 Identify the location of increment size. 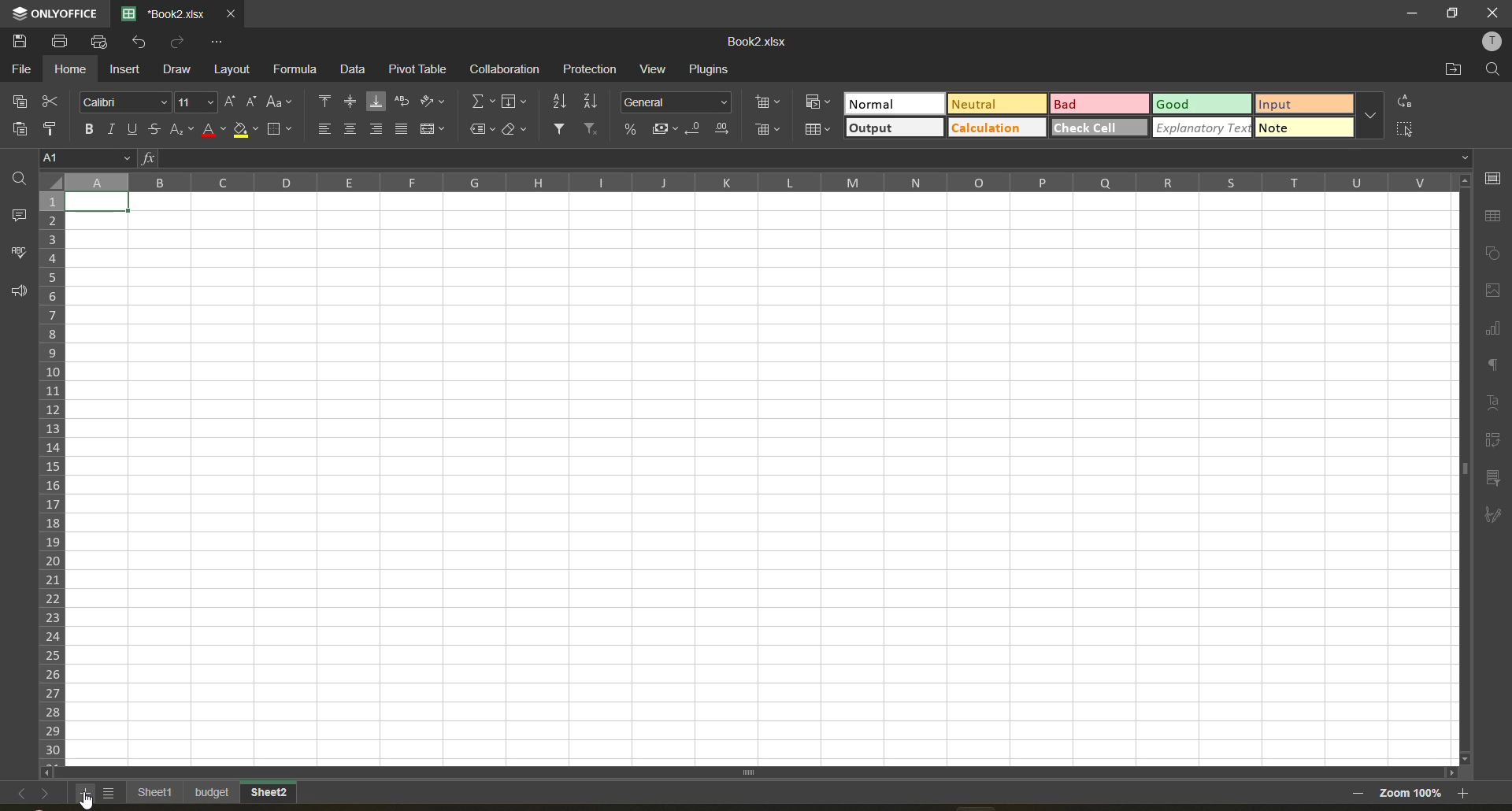
(230, 100).